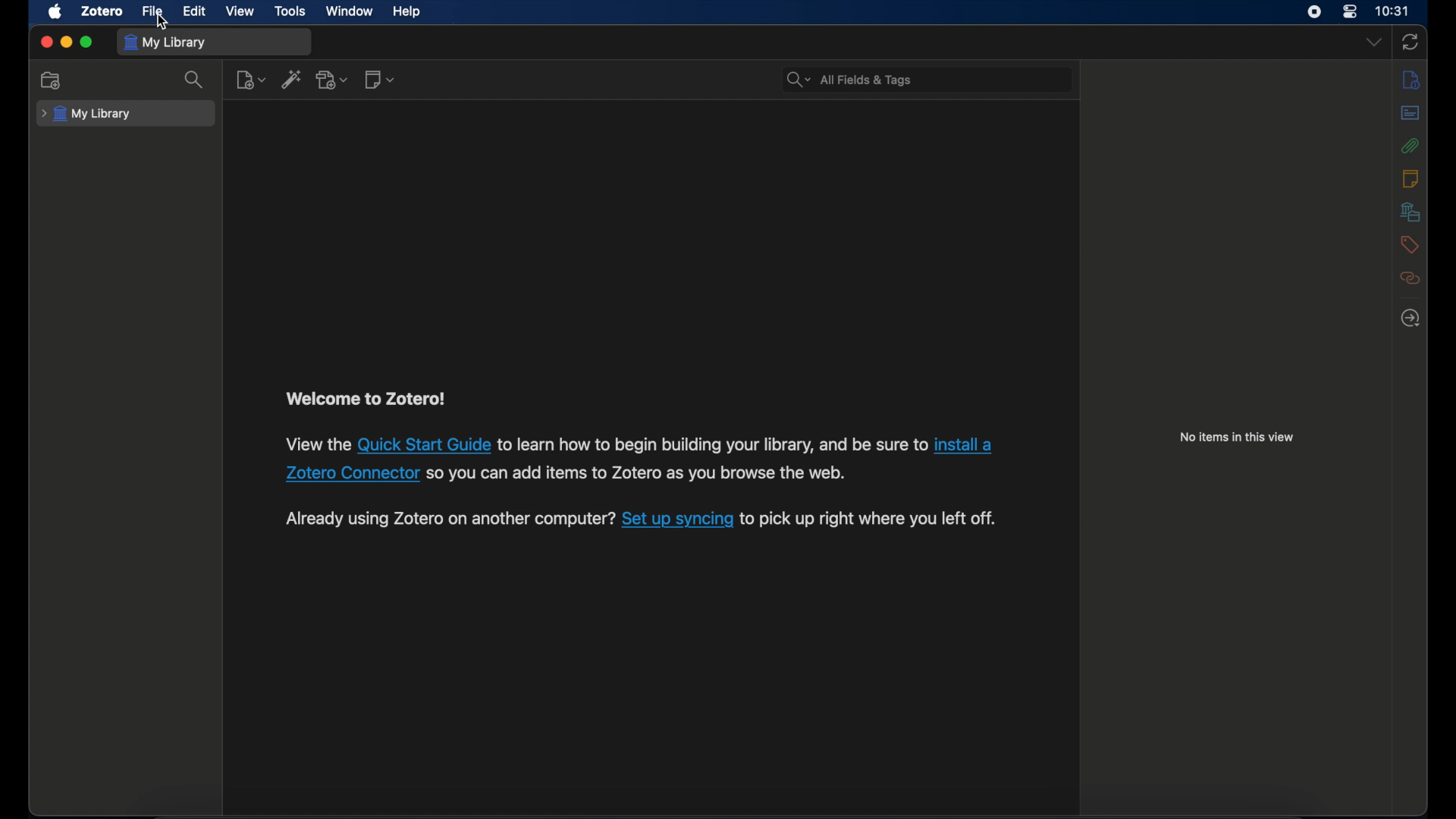 This screenshot has height=819, width=1456. I want to click on attachments, so click(1411, 146).